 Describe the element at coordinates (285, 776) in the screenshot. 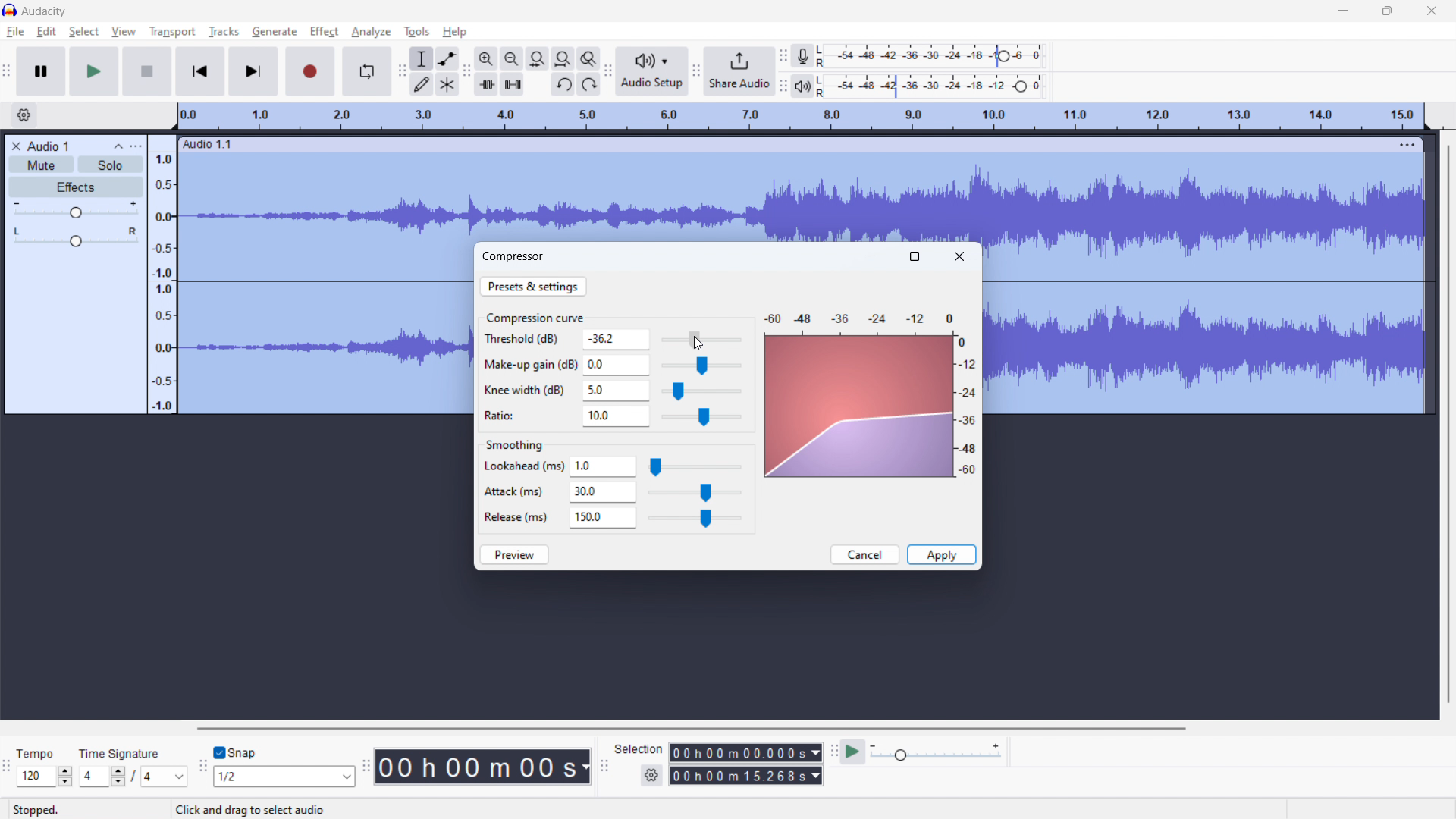

I see `1/2 (select snap)` at that location.